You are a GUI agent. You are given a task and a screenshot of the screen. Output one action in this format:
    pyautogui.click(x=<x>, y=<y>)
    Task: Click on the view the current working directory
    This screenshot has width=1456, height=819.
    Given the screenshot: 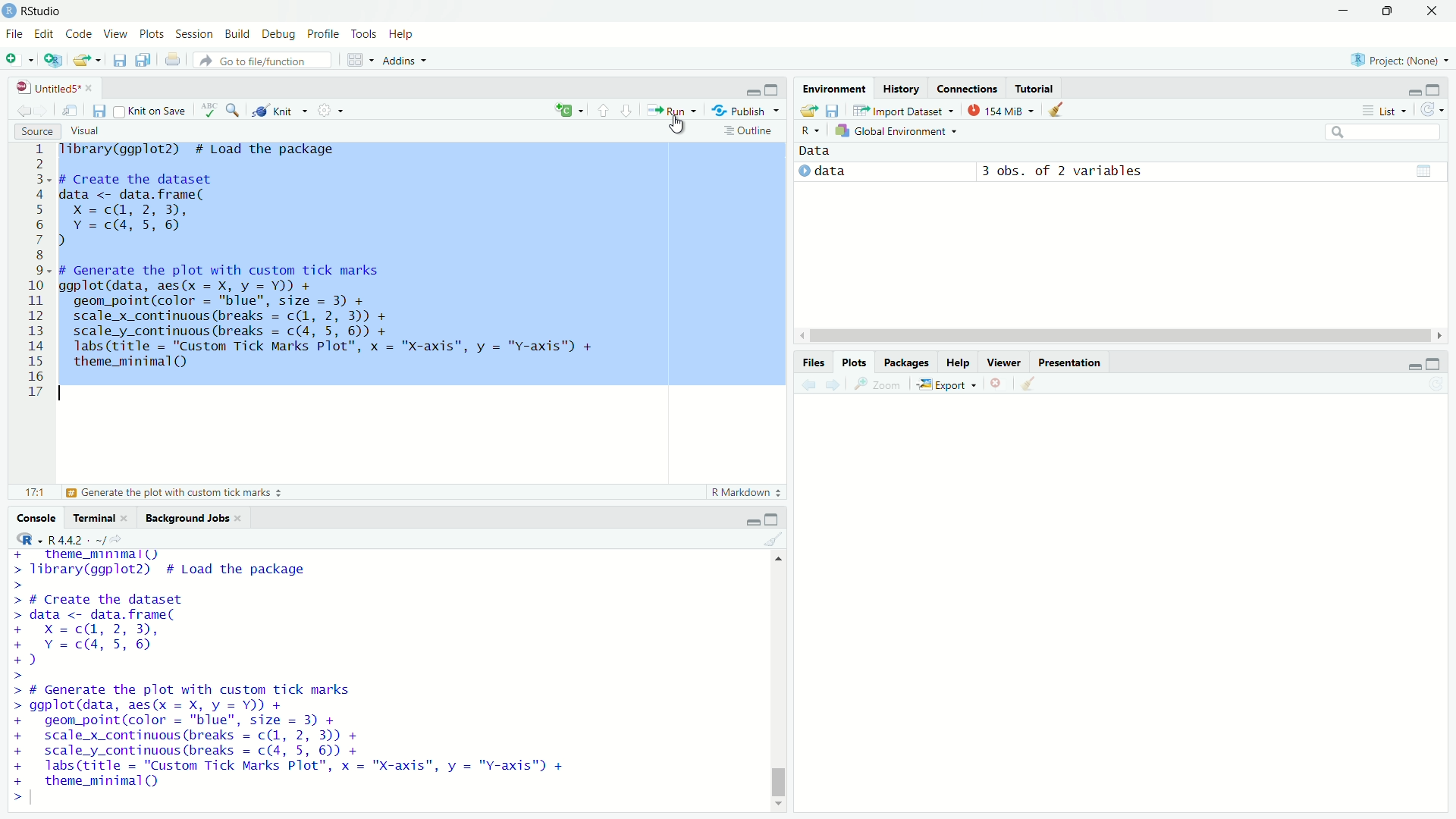 What is the action you would take?
    pyautogui.click(x=127, y=538)
    